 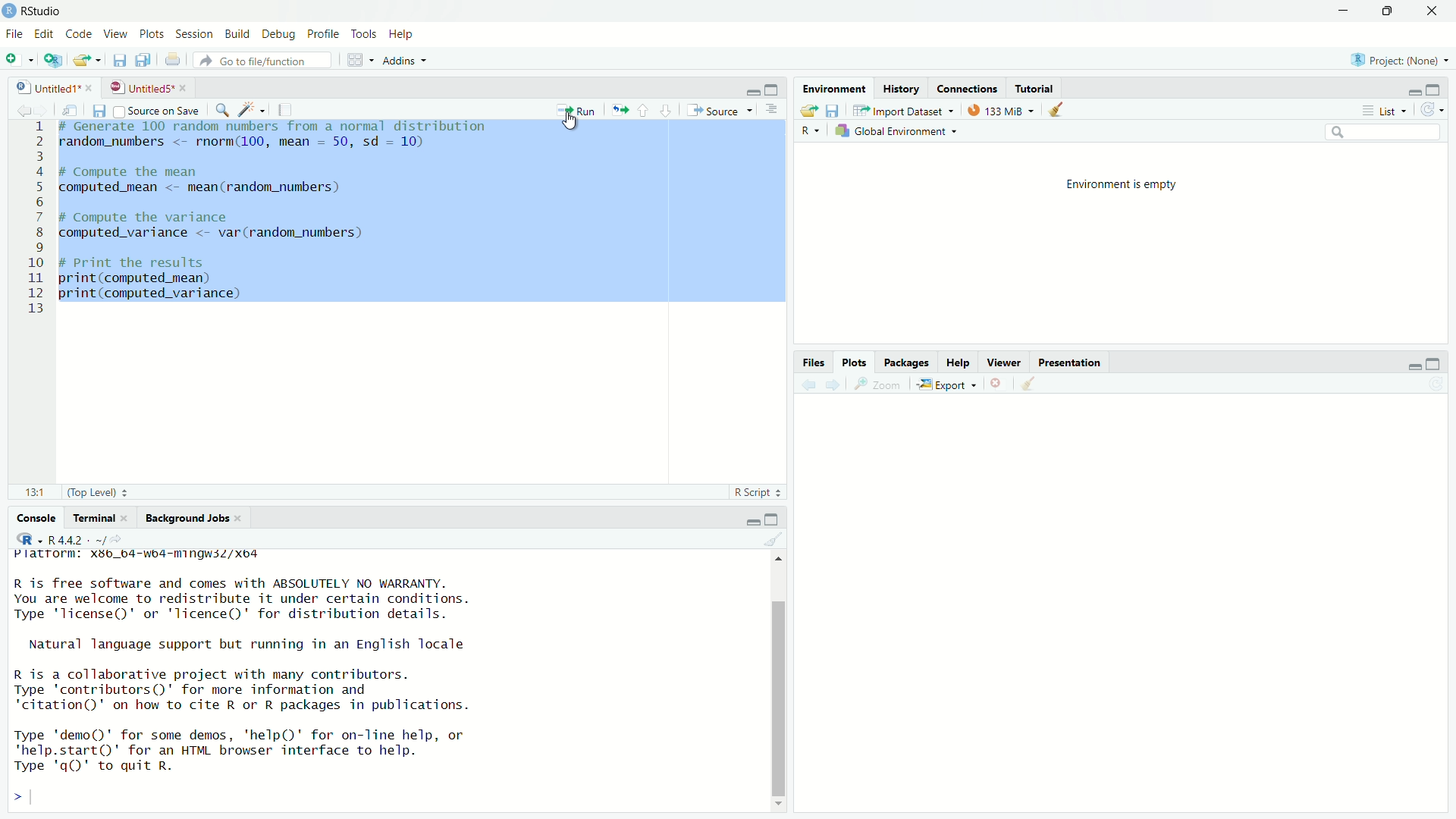 I want to click on find/replace, so click(x=221, y=108).